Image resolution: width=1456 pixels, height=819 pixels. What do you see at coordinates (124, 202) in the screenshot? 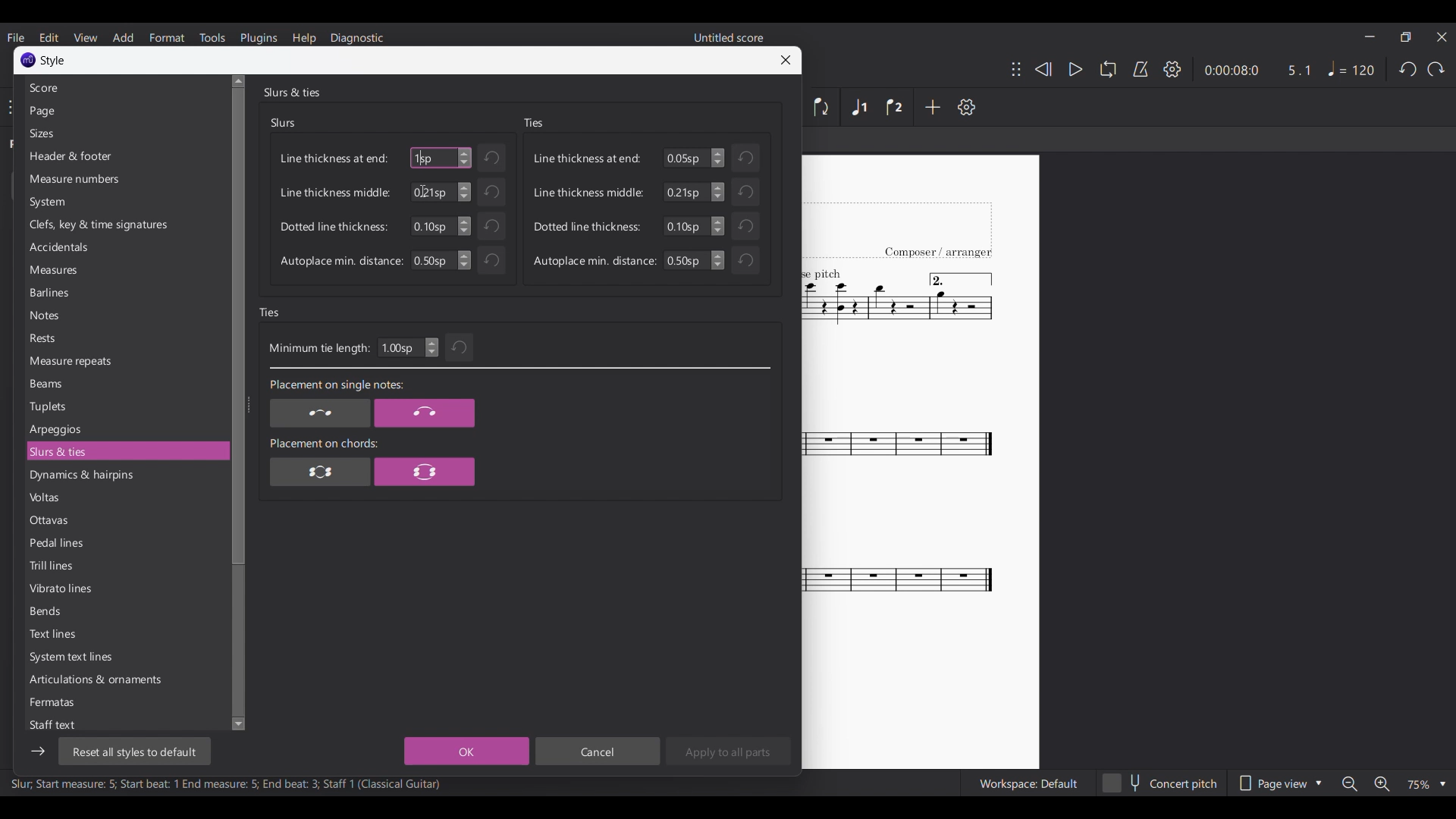
I see `System` at bounding box center [124, 202].